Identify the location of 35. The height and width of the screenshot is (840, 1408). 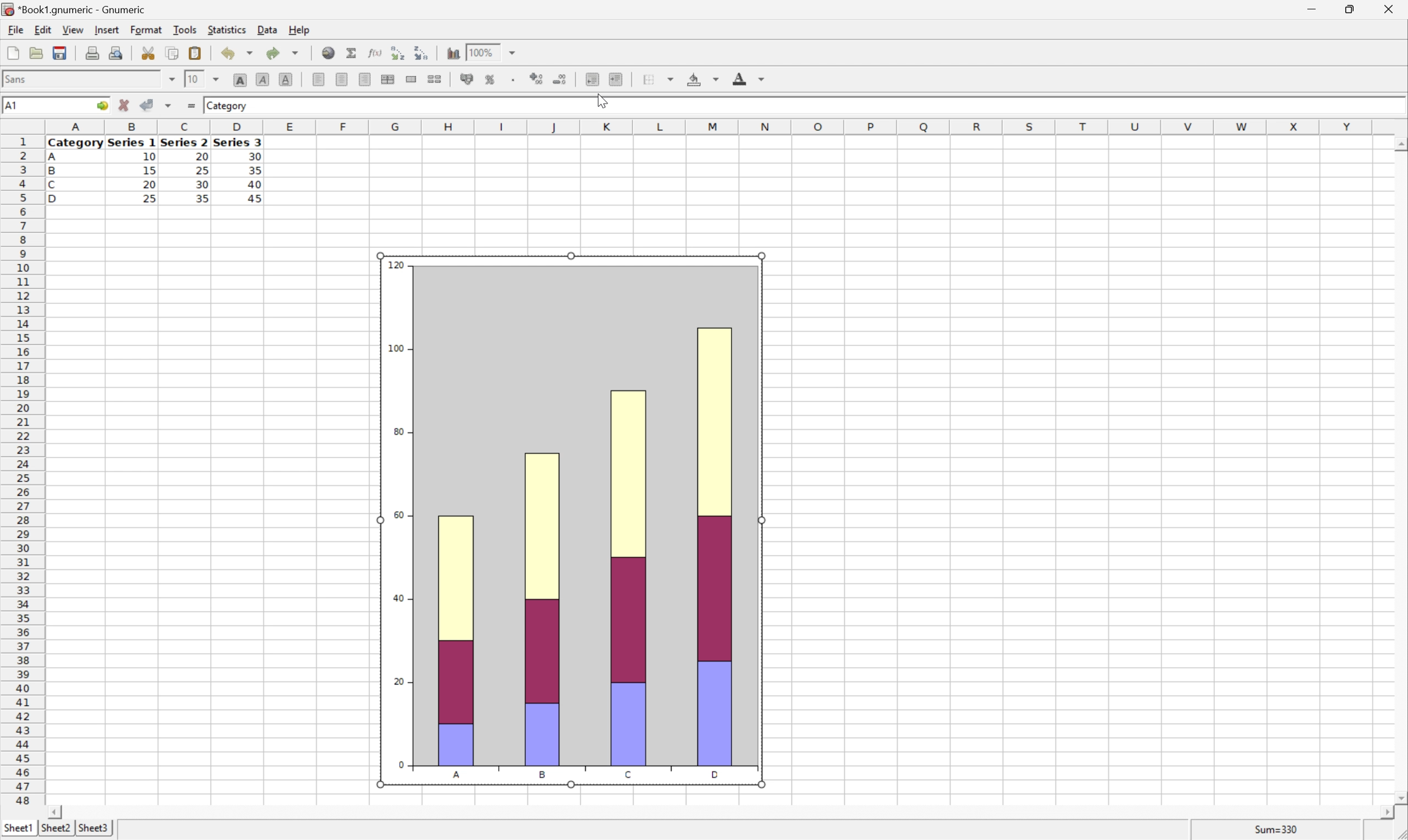
(202, 198).